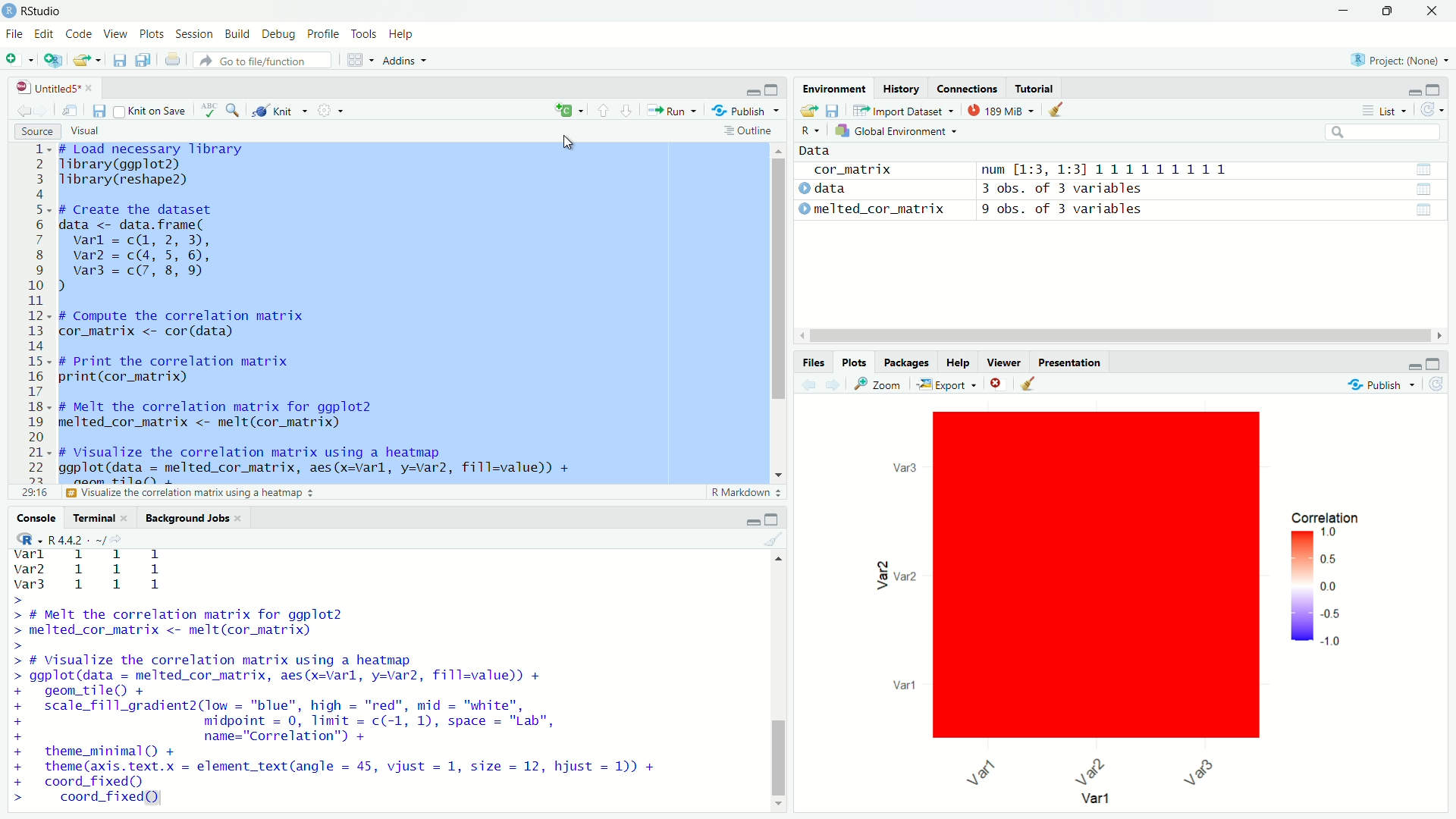  Describe the element at coordinates (102, 518) in the screenshot. I see `terminal` at that location.